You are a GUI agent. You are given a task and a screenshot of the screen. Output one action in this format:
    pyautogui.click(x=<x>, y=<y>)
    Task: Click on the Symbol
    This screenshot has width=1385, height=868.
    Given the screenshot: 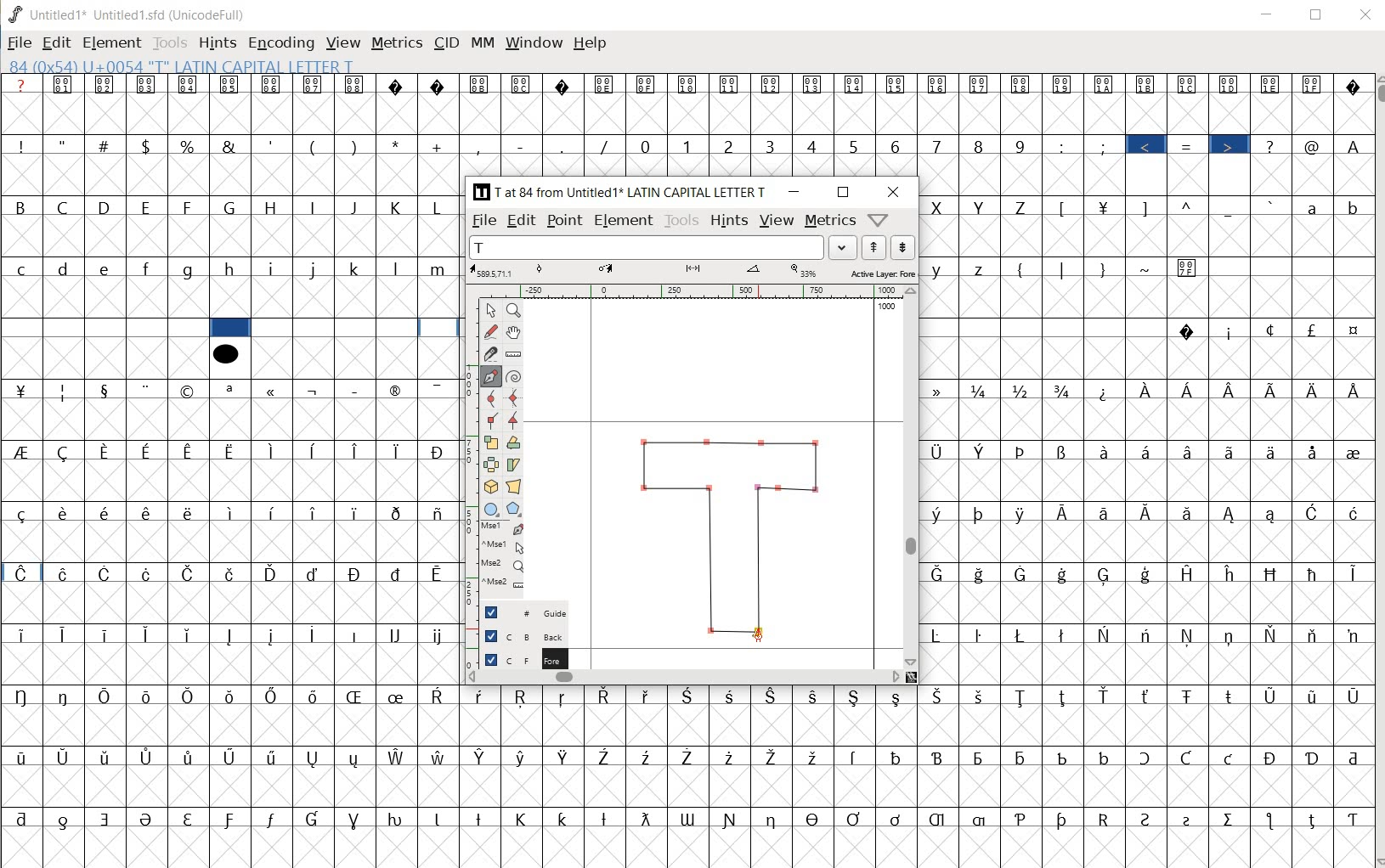 What is the action you would take?
    pyautogui.click(x=1022, y=83)
    